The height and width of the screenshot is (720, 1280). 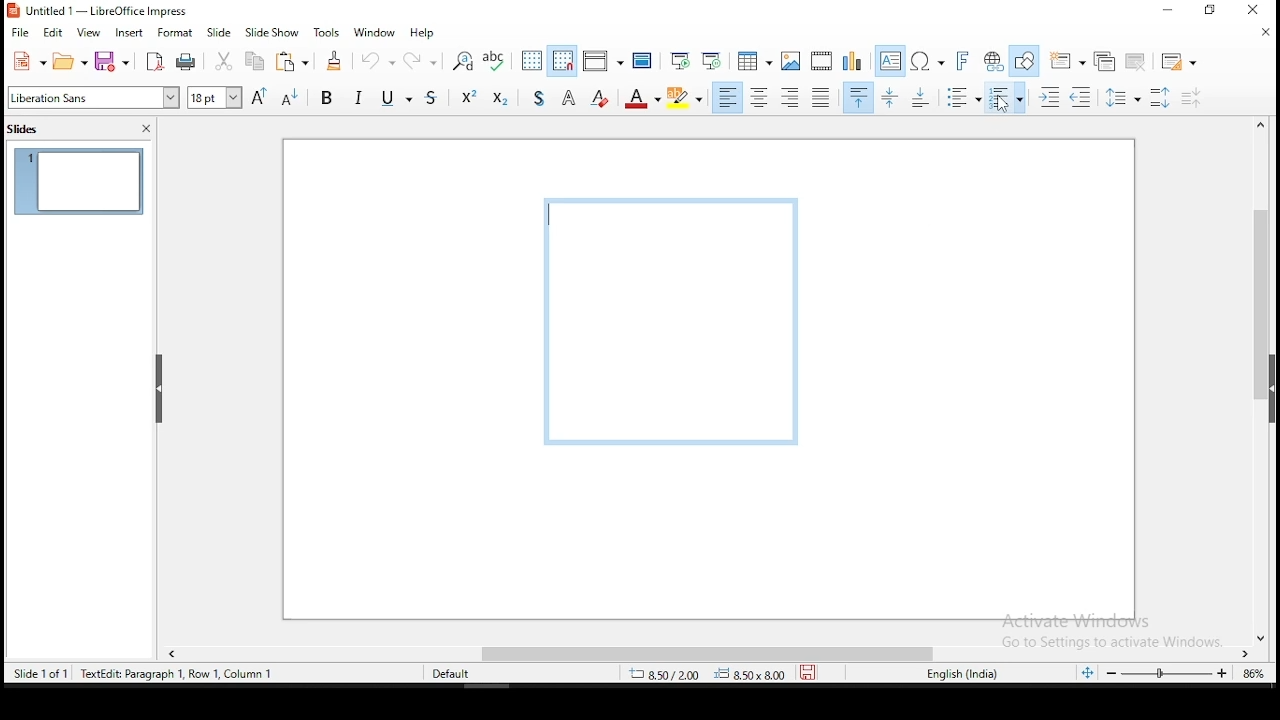 What do you see at coordinates (361, 96) in the screenshot?
I see `italics` at bounding box center [361, 96].